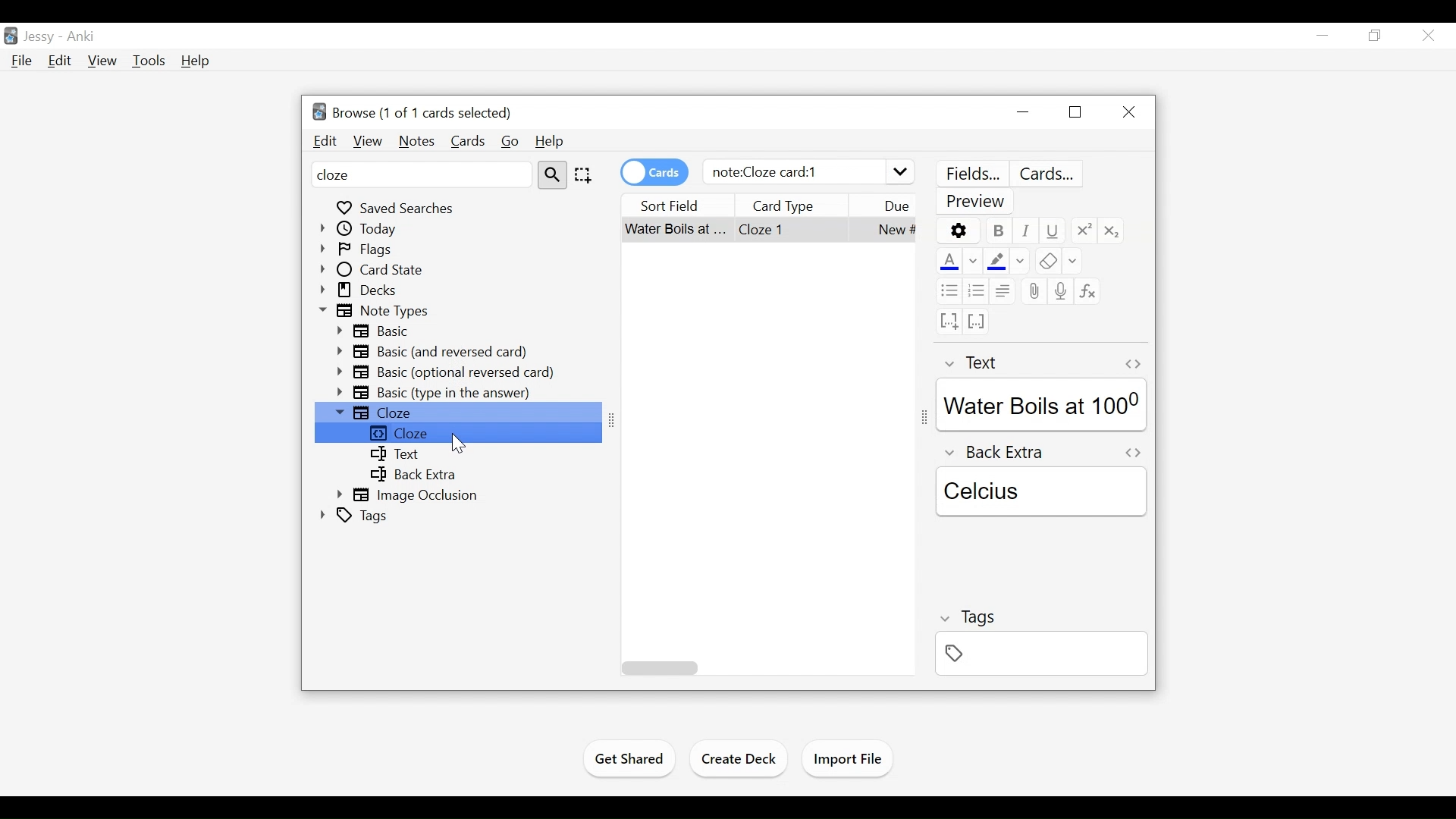  I want to click on Tags Field, so click(1041, 653).